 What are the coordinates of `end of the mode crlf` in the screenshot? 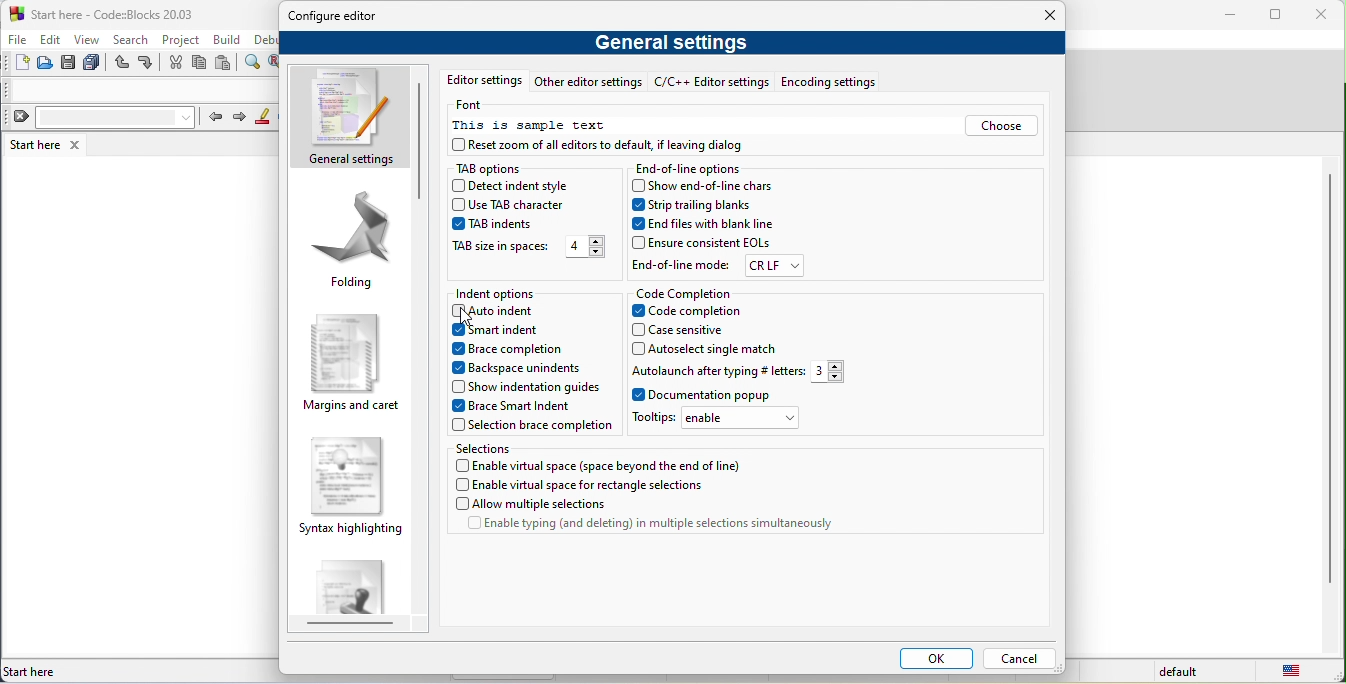 It's located at (716, 267).